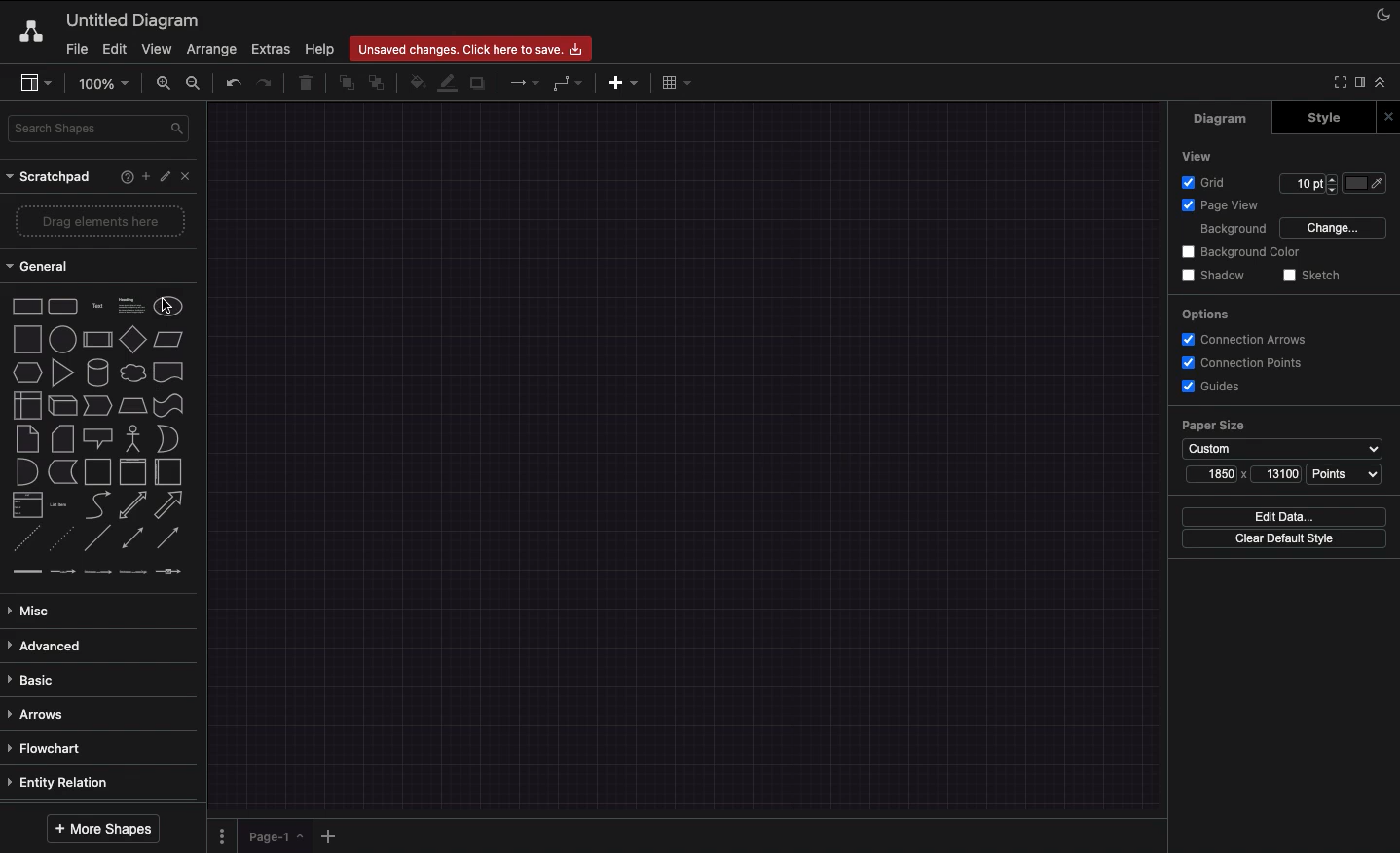 This screenshot has width=1400, height=853. What do you see at coordinates (319, 48) in the screenshot?
I see `Help` at bounding box center [319, 48].